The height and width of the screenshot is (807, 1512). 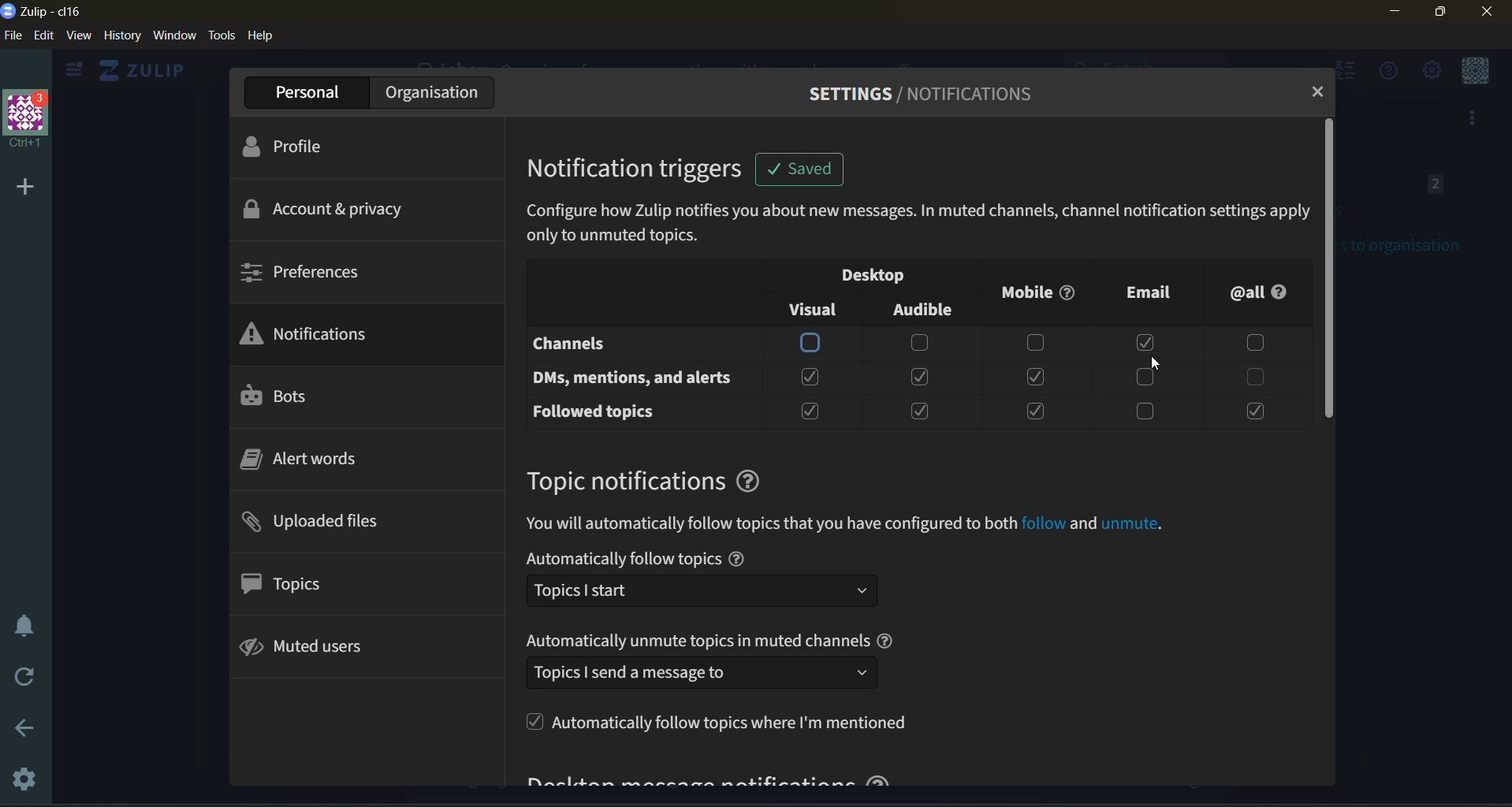 What do you see at coordinates (437, 93) in the screenshot?
I see `organisation` at bounding box center [437, 93].